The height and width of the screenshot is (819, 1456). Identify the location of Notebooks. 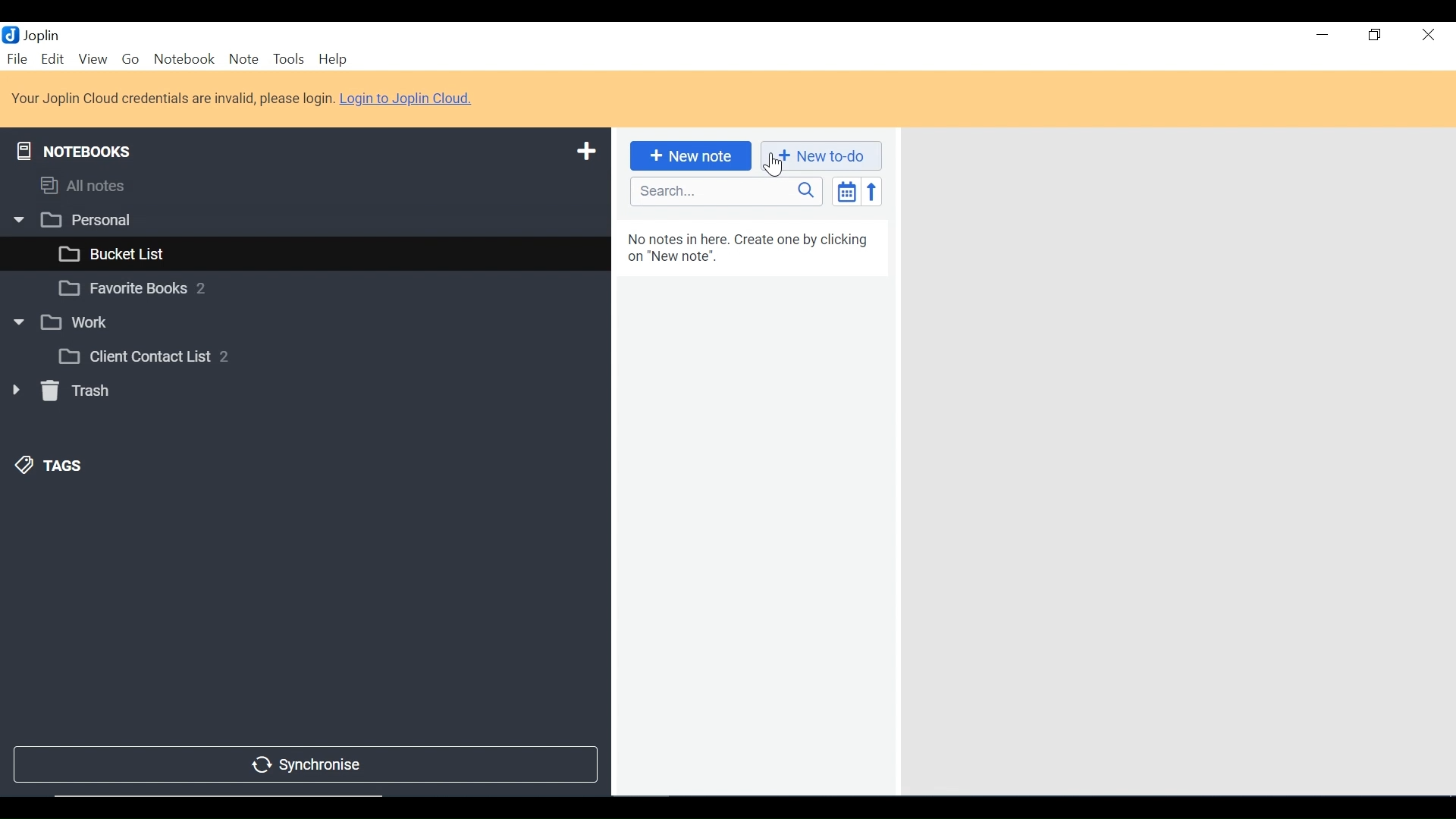
(74, 148).